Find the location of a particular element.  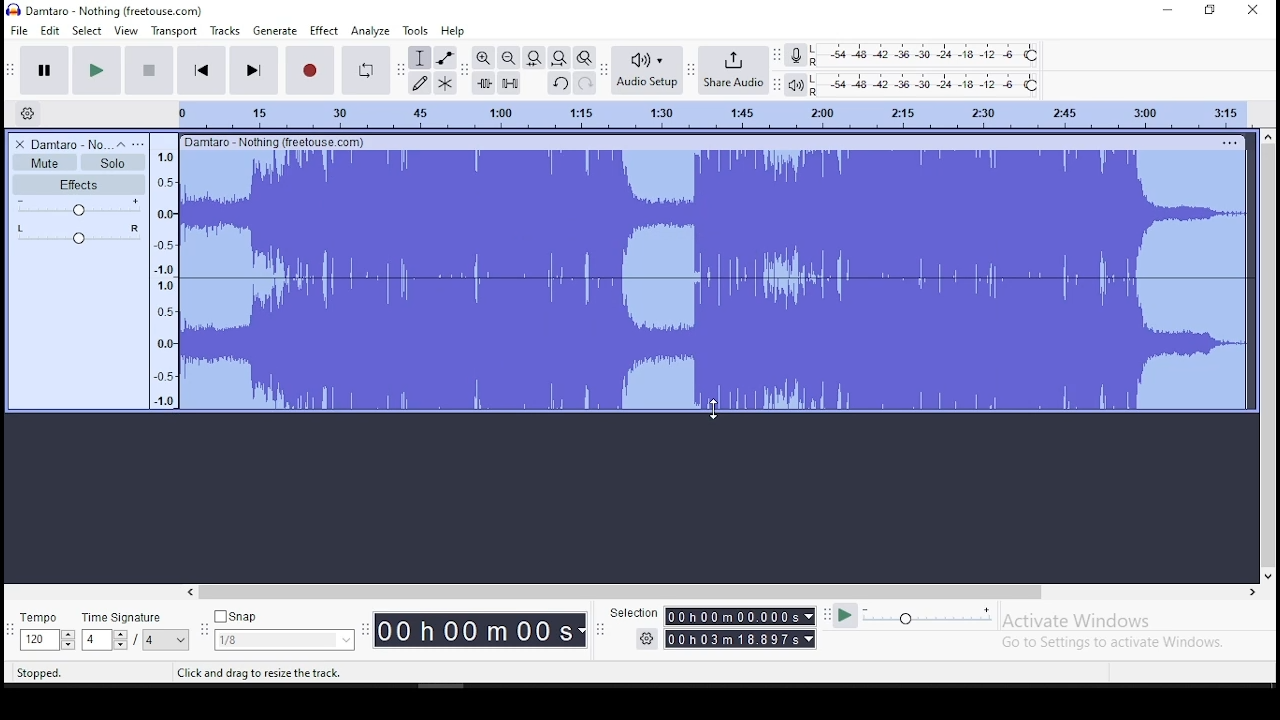

 is located at coordinates (12, 630).